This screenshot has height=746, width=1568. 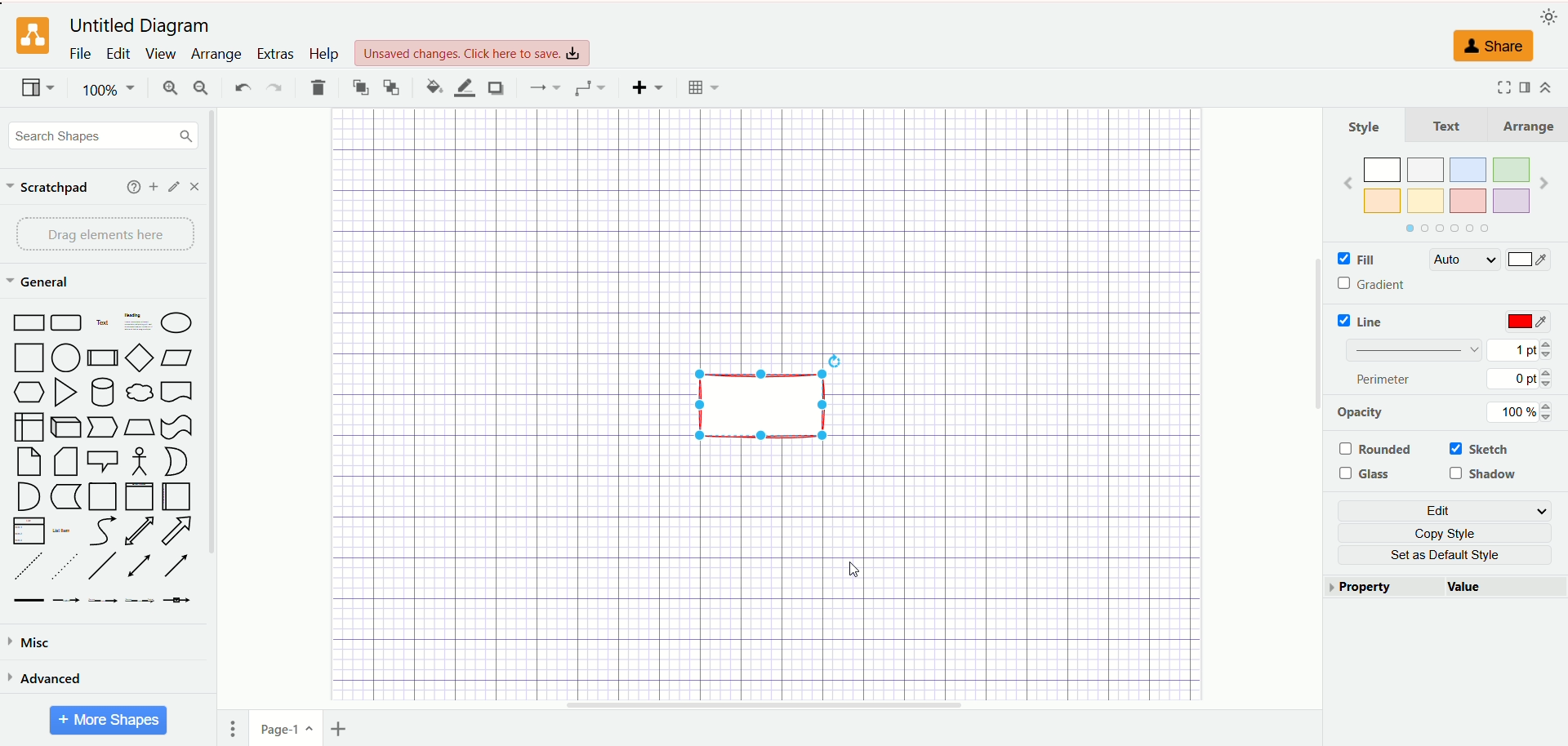 I want to click on shape, so click(x=767, y=404).